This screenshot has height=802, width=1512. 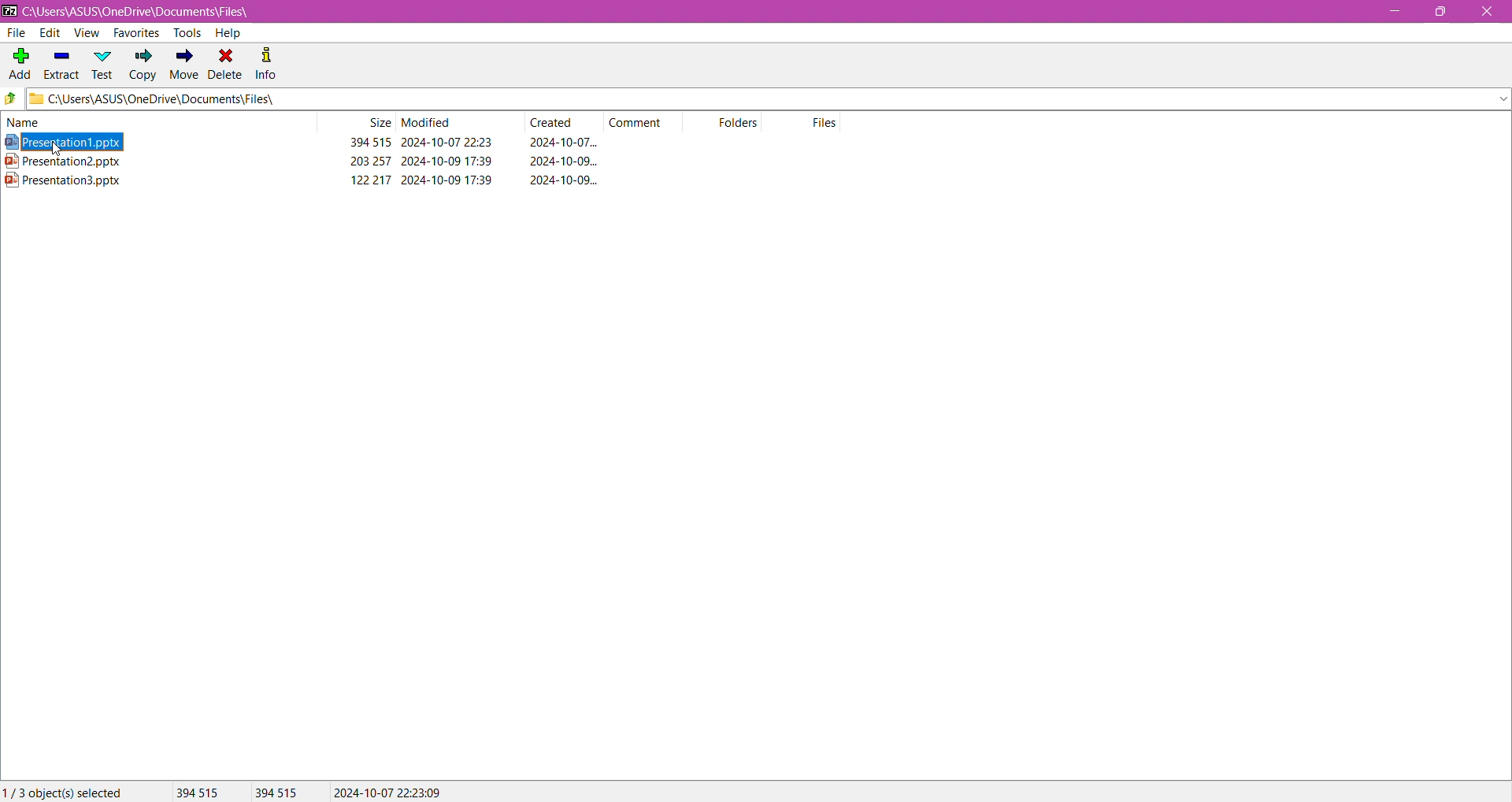 What do you see at coordinates (1487, 13) in the screenshot?
I see `Close` at bounding box center [1487, 13].